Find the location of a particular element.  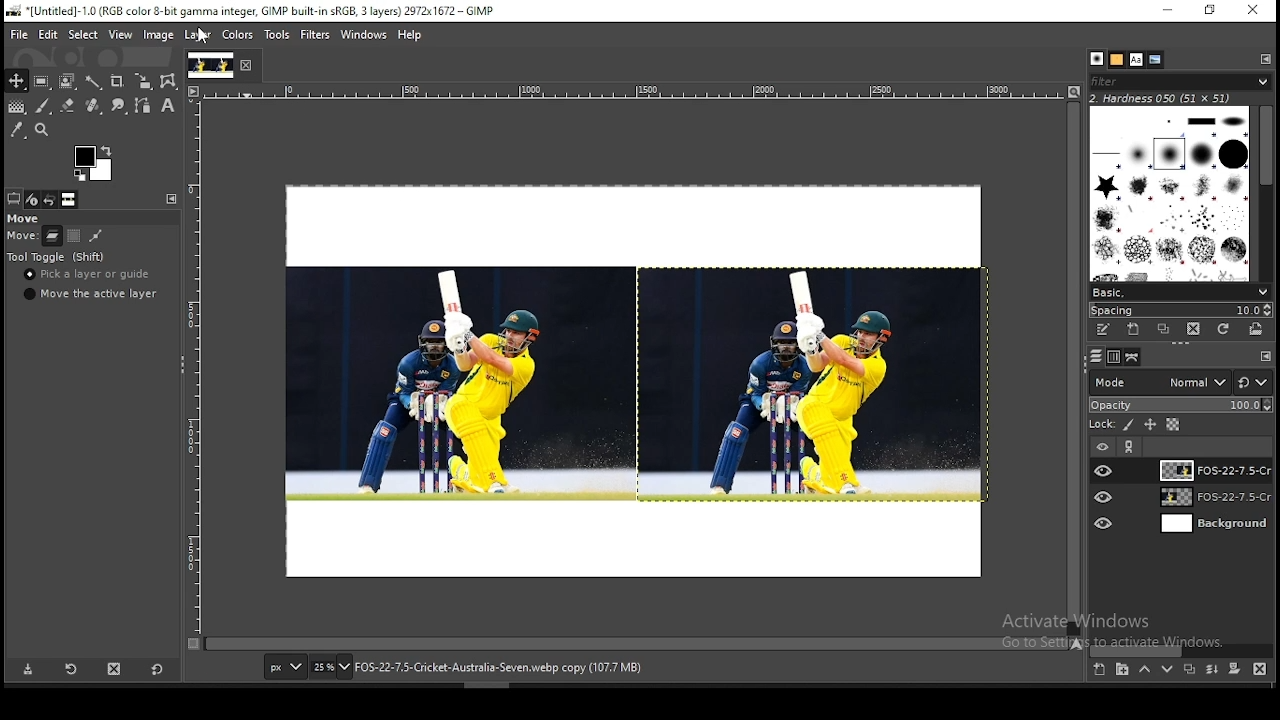

lock size and position is located at coordinates (1151, 426).